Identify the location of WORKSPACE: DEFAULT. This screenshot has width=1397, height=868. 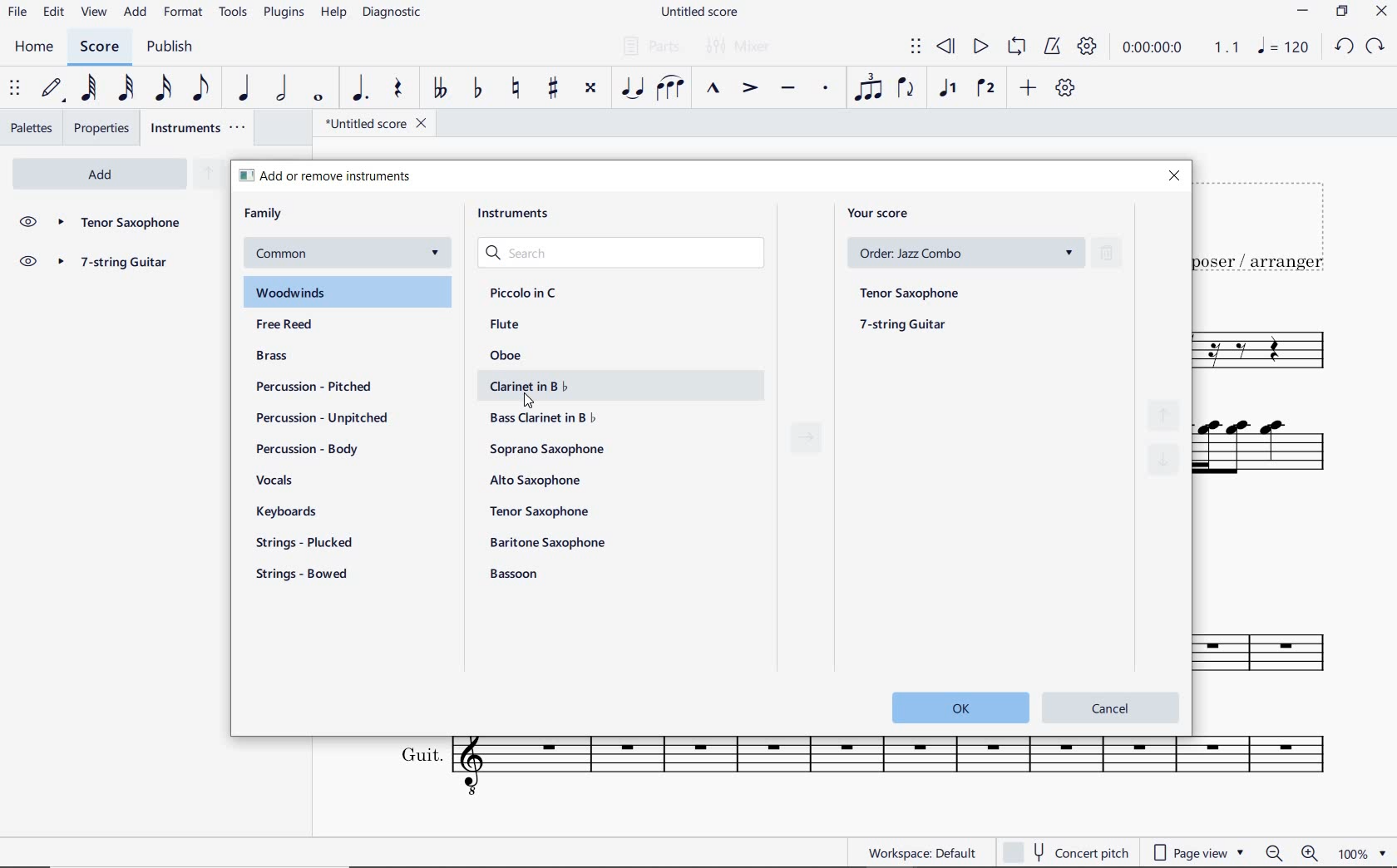
(921, 851).